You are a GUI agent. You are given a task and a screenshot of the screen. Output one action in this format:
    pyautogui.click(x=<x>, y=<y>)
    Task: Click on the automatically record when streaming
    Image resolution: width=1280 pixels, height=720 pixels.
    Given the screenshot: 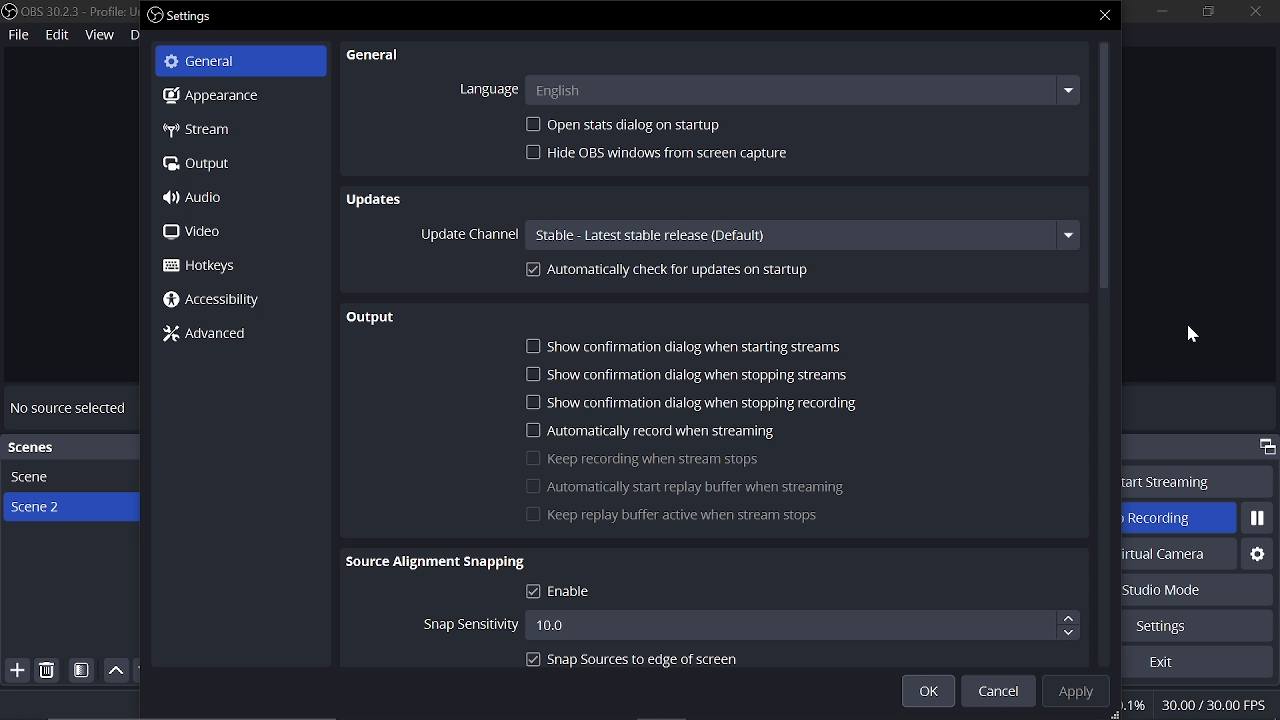 What is the action you would take?
    pyautogui.click(x=649, y=430)
    